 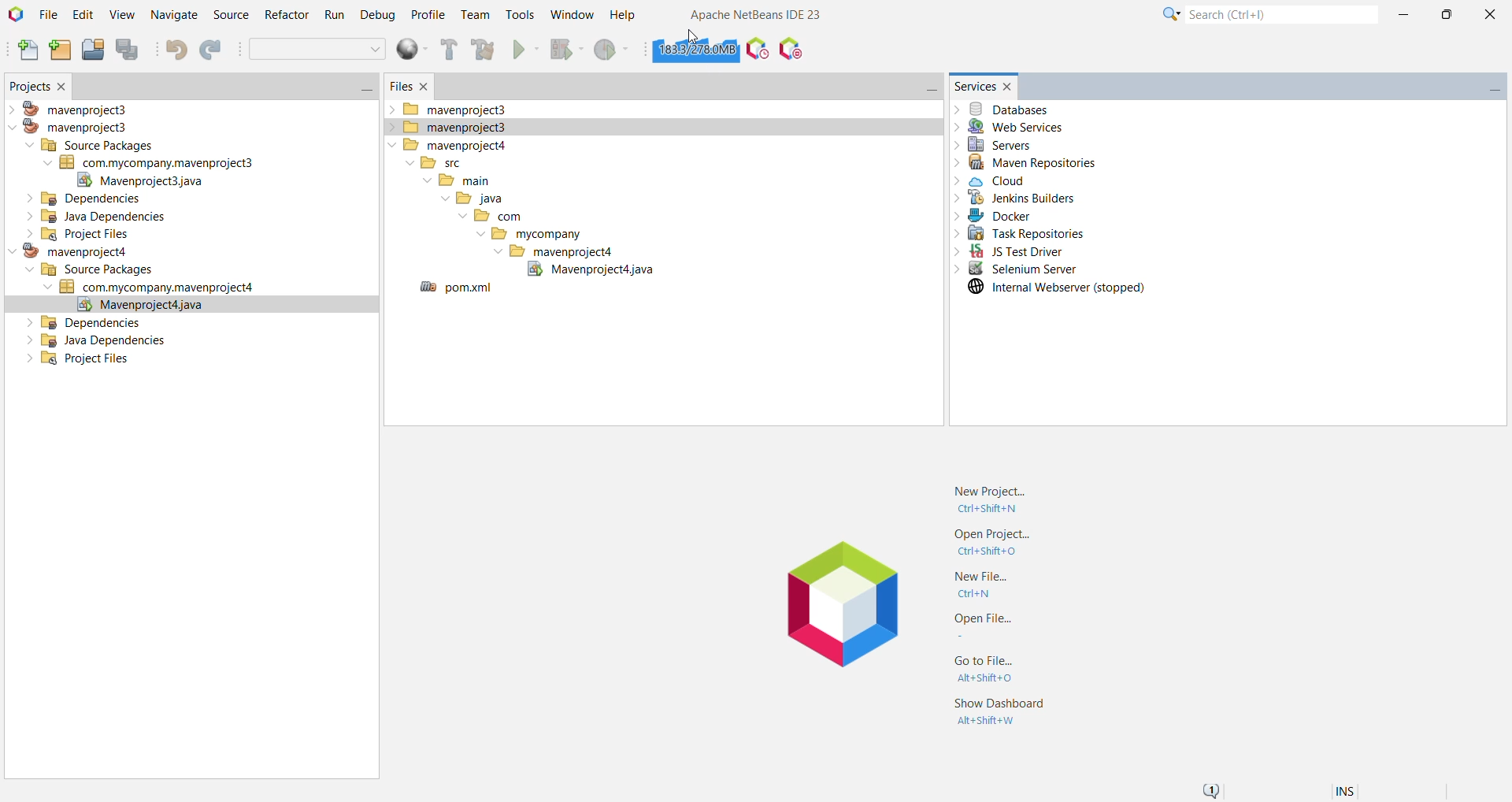 What do you see at coordinates (526, 50) in the screenshot?
I see `Run Project` at bounding box center [526, 50].